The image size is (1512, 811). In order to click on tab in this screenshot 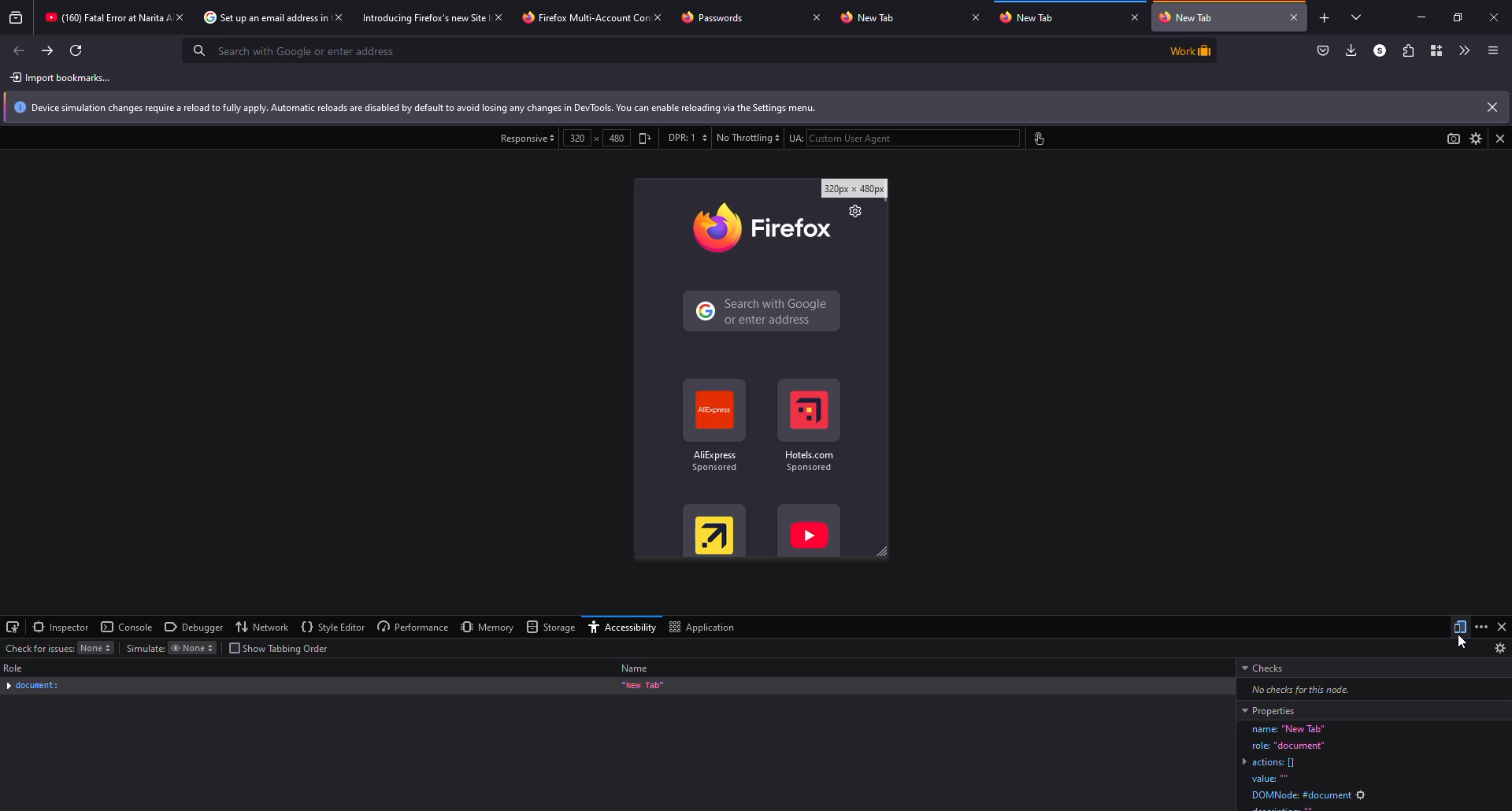, I will do `click(575, 19)`.